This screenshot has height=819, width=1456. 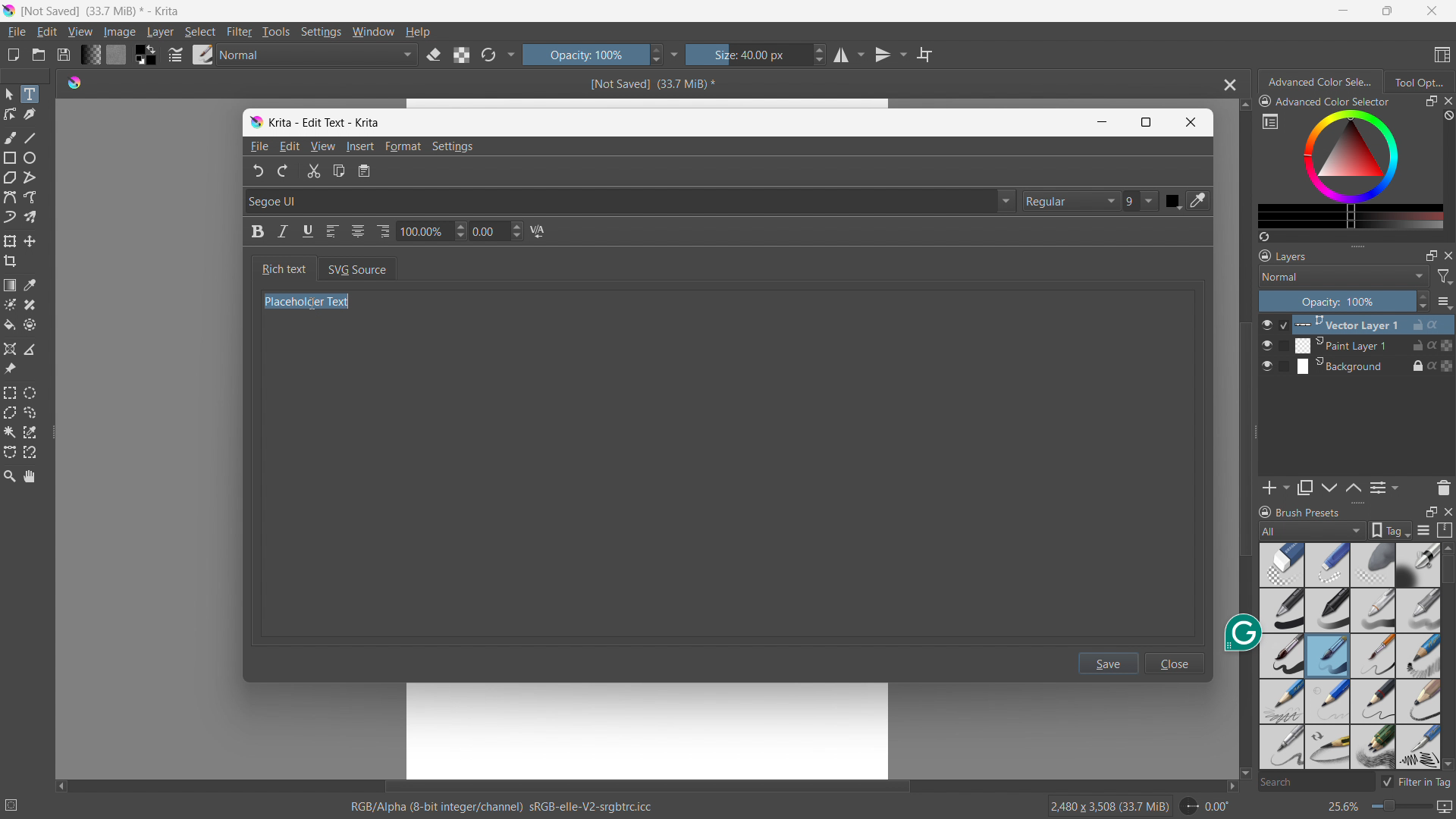 I want to click on opacity control, so click(x=1344, y=301).